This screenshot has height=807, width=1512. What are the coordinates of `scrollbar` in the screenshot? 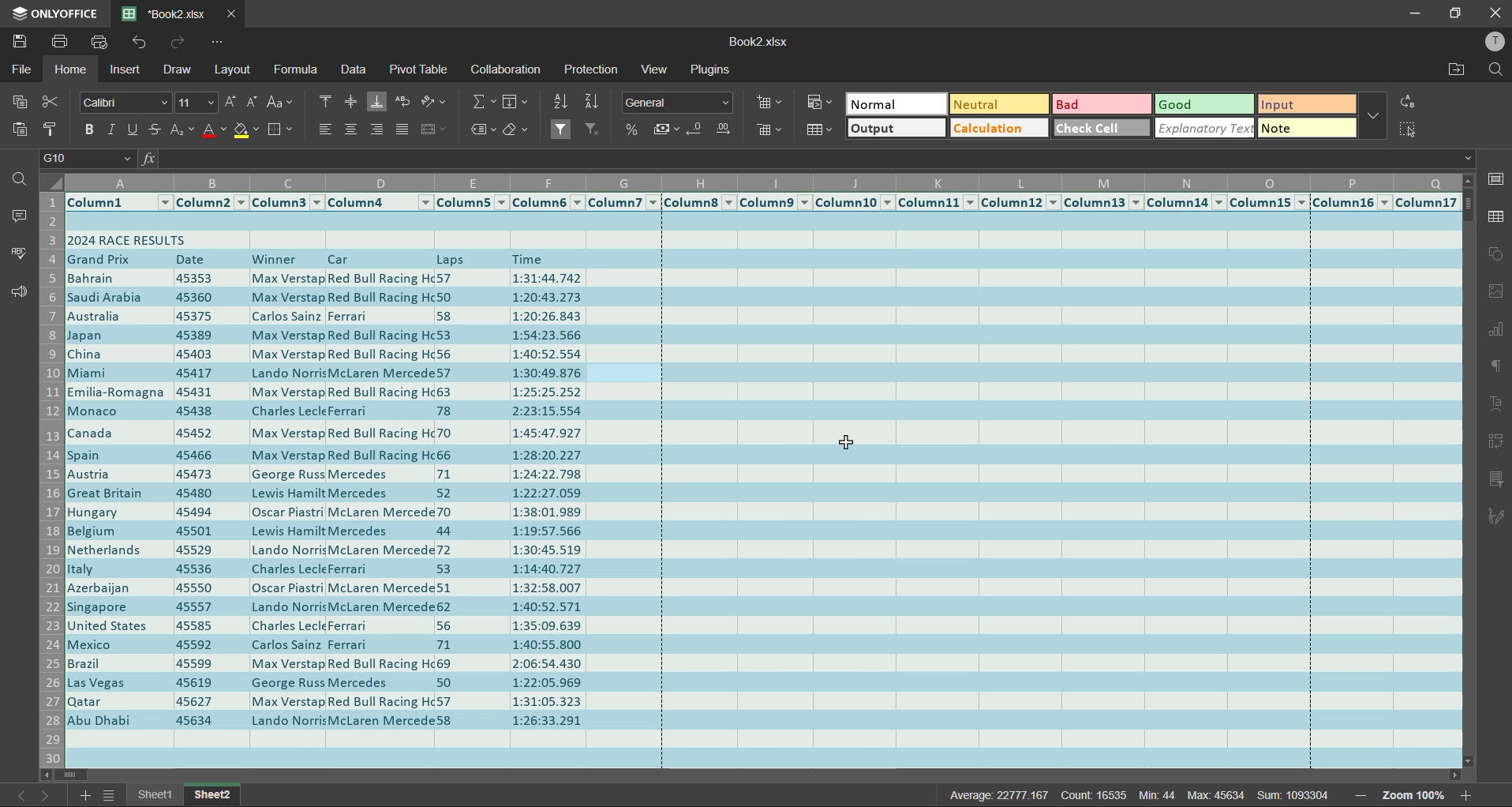 It's located at (1468, 471).